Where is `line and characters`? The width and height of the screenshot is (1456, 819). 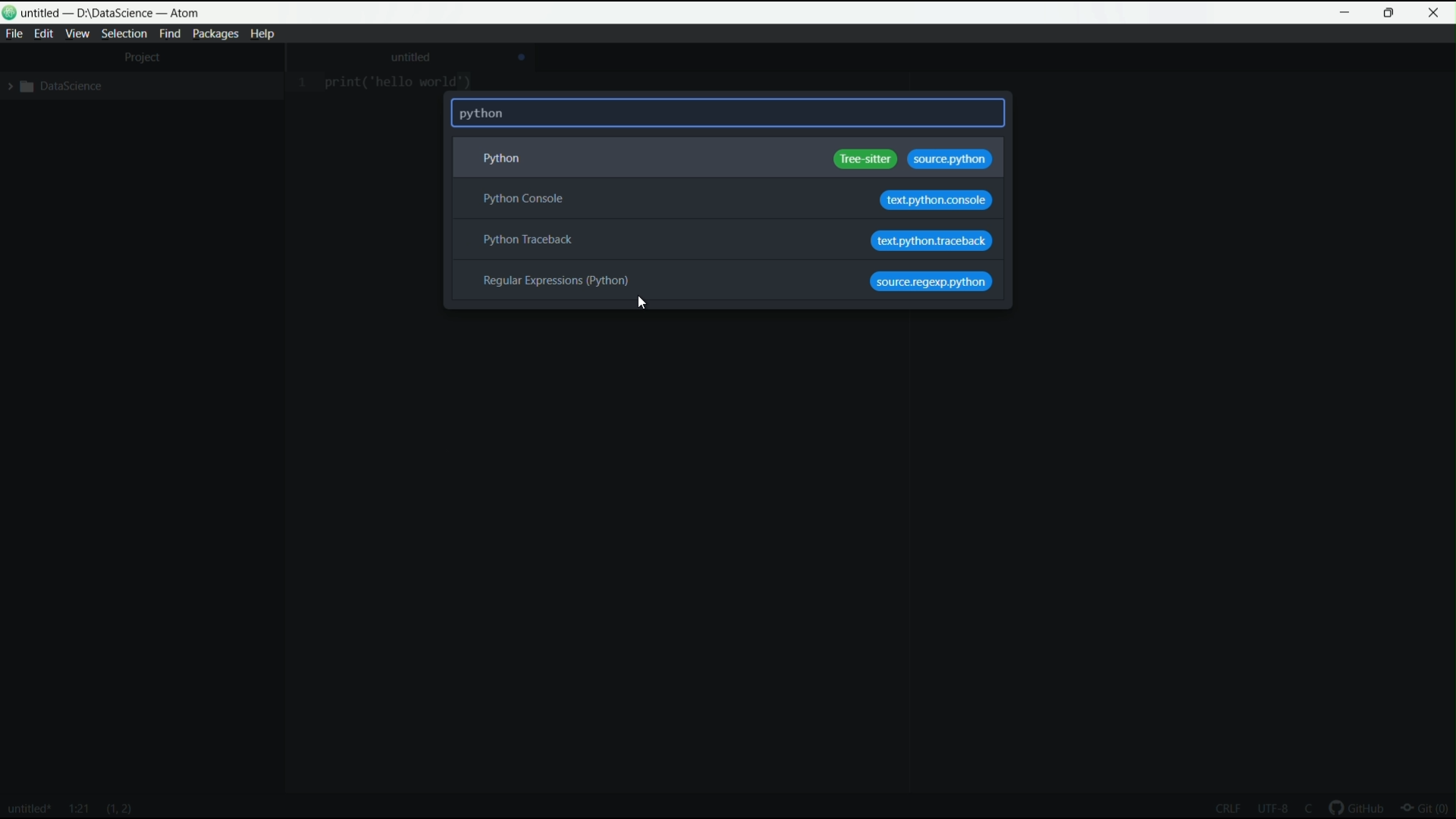 line and characters is located at coordinates (120, 810).